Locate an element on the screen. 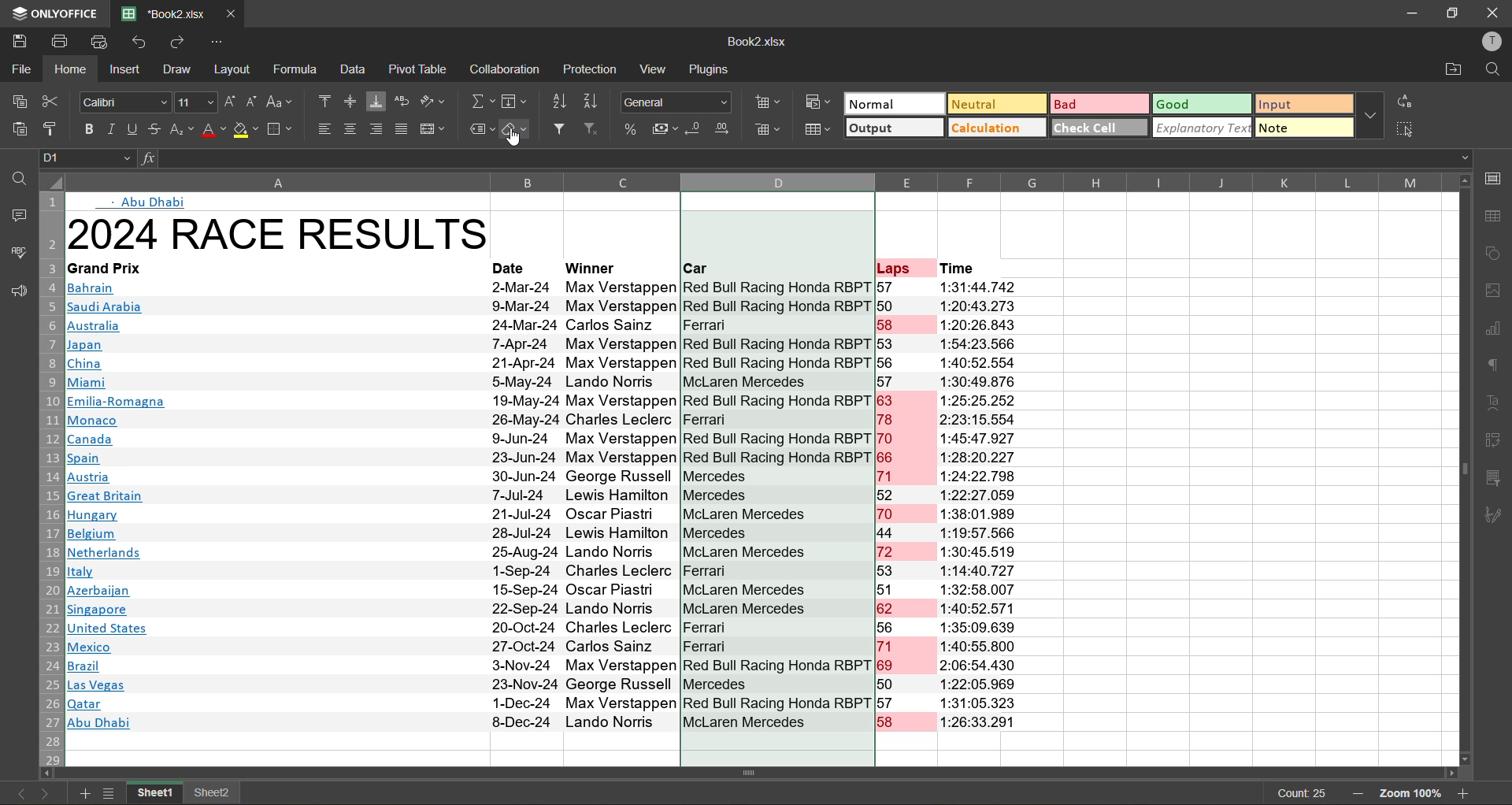  more options is located at coordinates (1370, 114).